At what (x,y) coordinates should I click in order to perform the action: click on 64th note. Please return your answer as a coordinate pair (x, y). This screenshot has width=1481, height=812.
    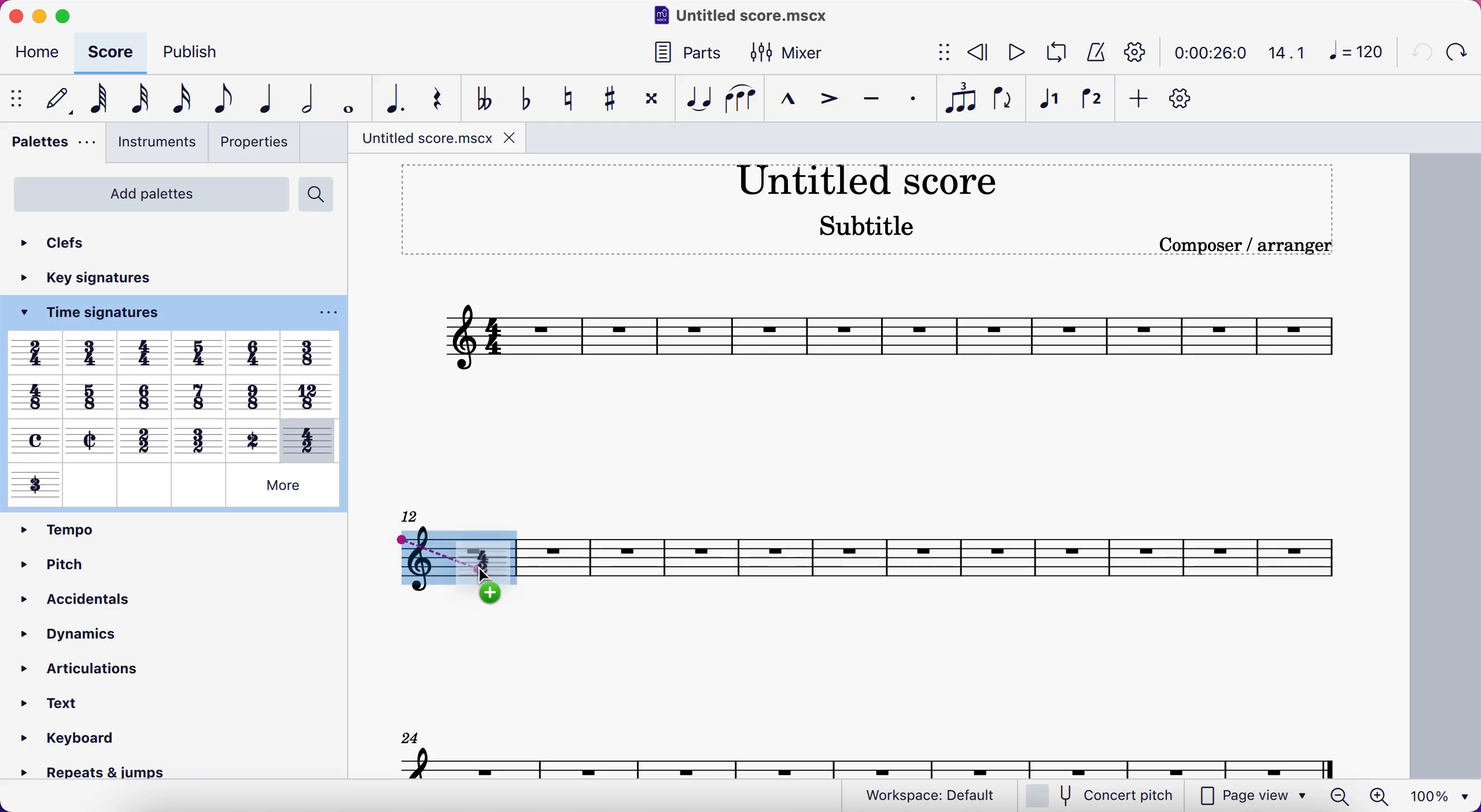
    Looking at the image, I should click on (96, 100).